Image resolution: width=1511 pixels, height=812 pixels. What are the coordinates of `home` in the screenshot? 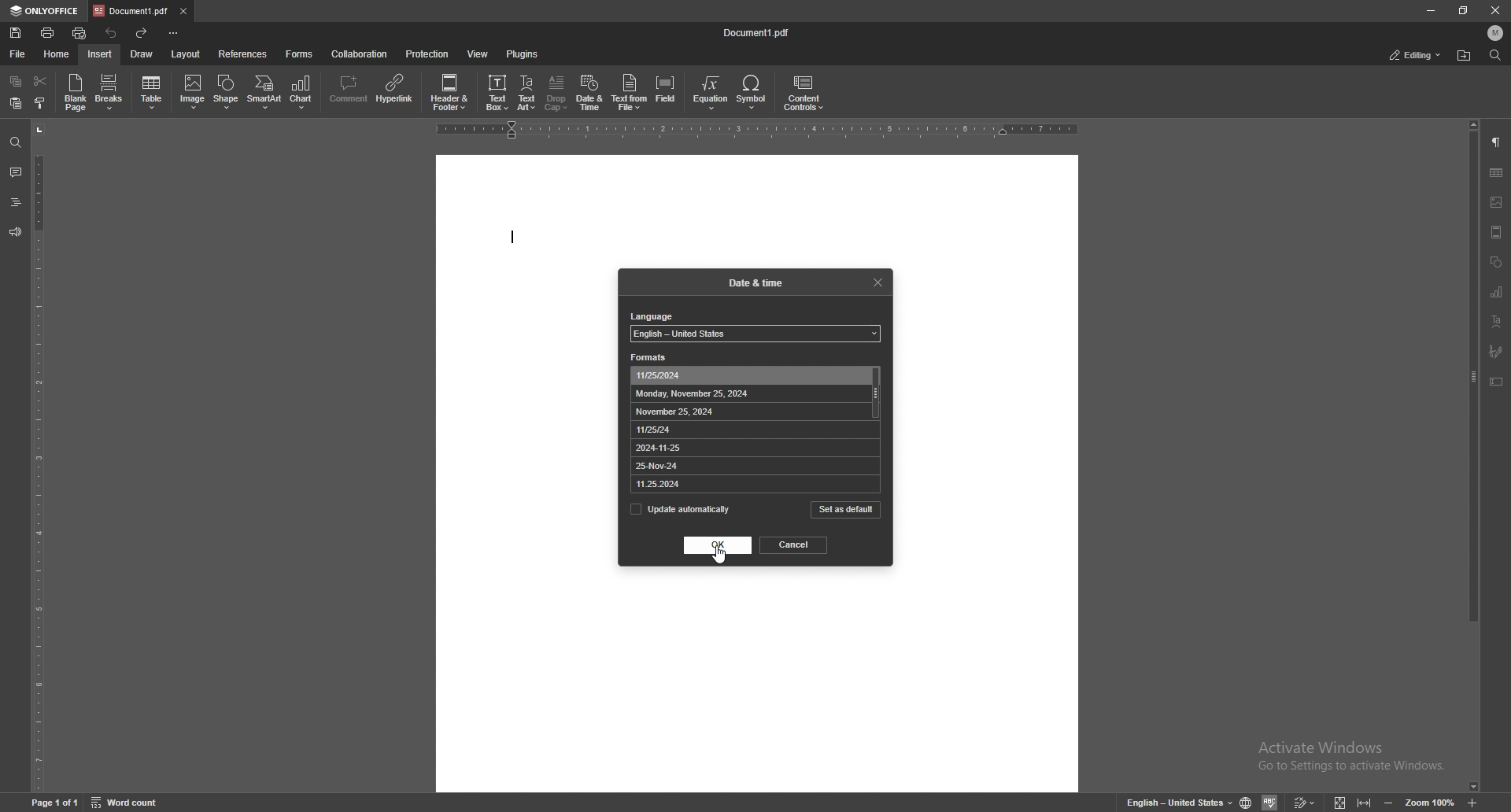 It's located at (58, 55).